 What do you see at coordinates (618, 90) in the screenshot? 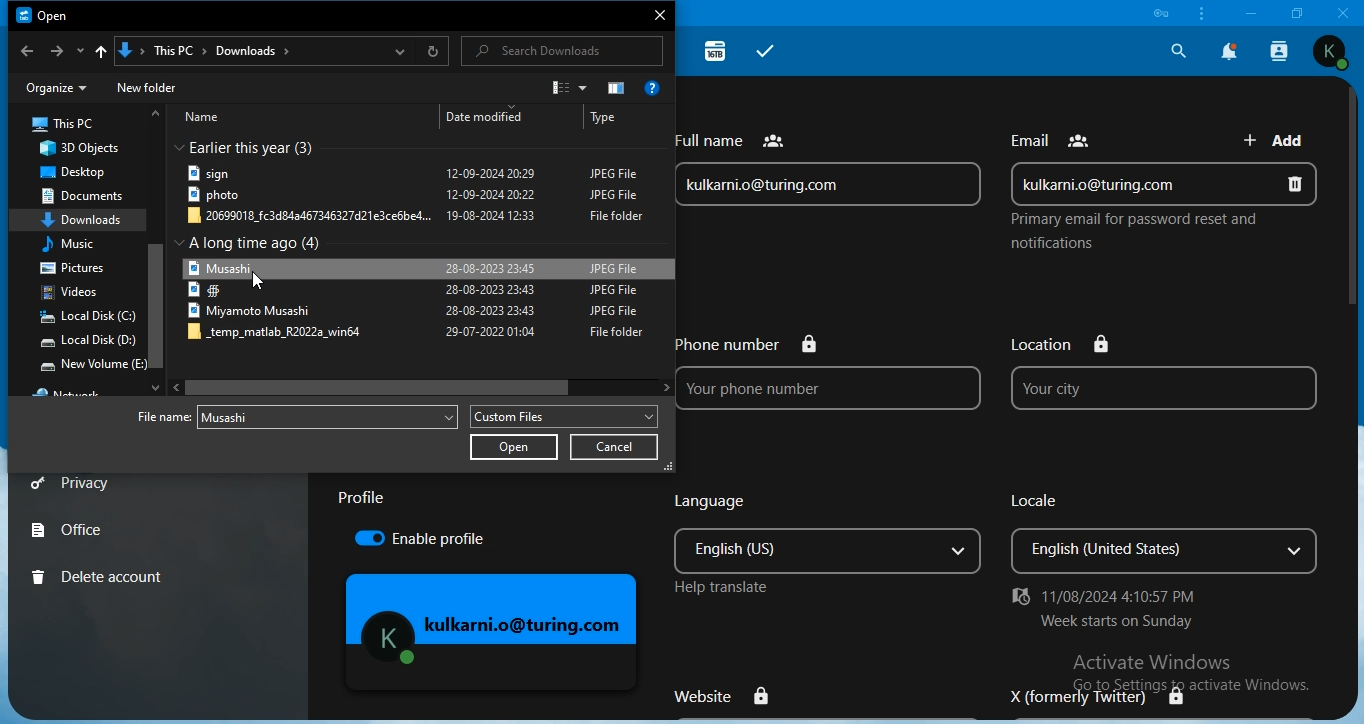
I see `icon` at bounding box center [618, 90].